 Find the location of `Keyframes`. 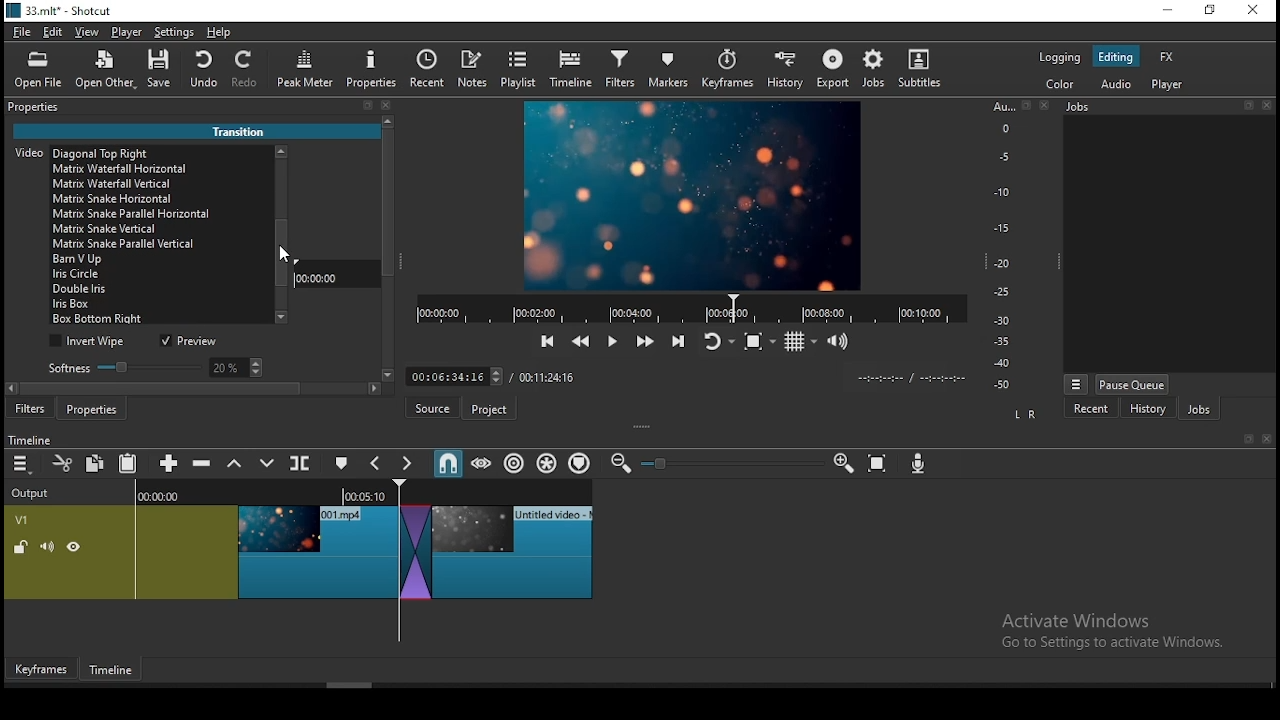

Keyframes is located at coordinates (39, 670).